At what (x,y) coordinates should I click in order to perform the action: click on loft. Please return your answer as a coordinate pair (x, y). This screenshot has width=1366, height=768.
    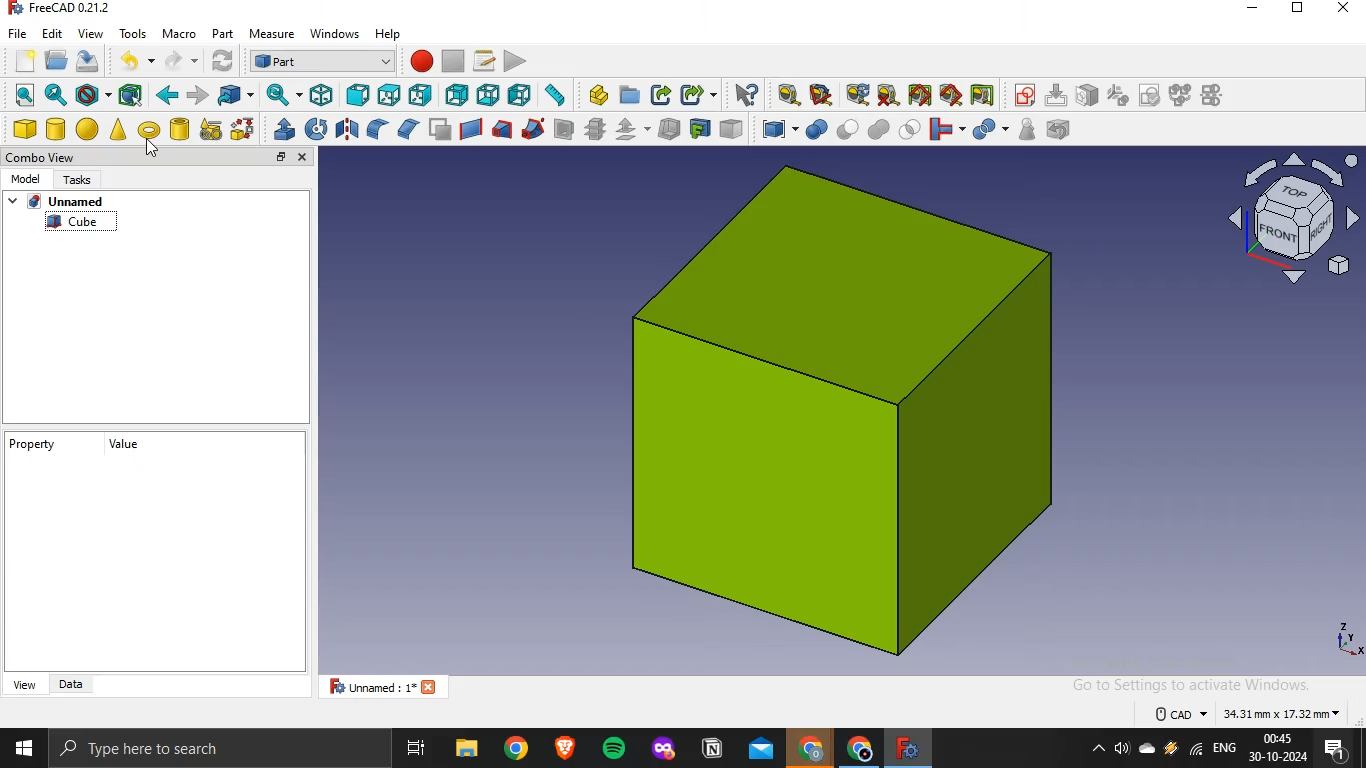
    Looking at the image, I should click on (502, 129).